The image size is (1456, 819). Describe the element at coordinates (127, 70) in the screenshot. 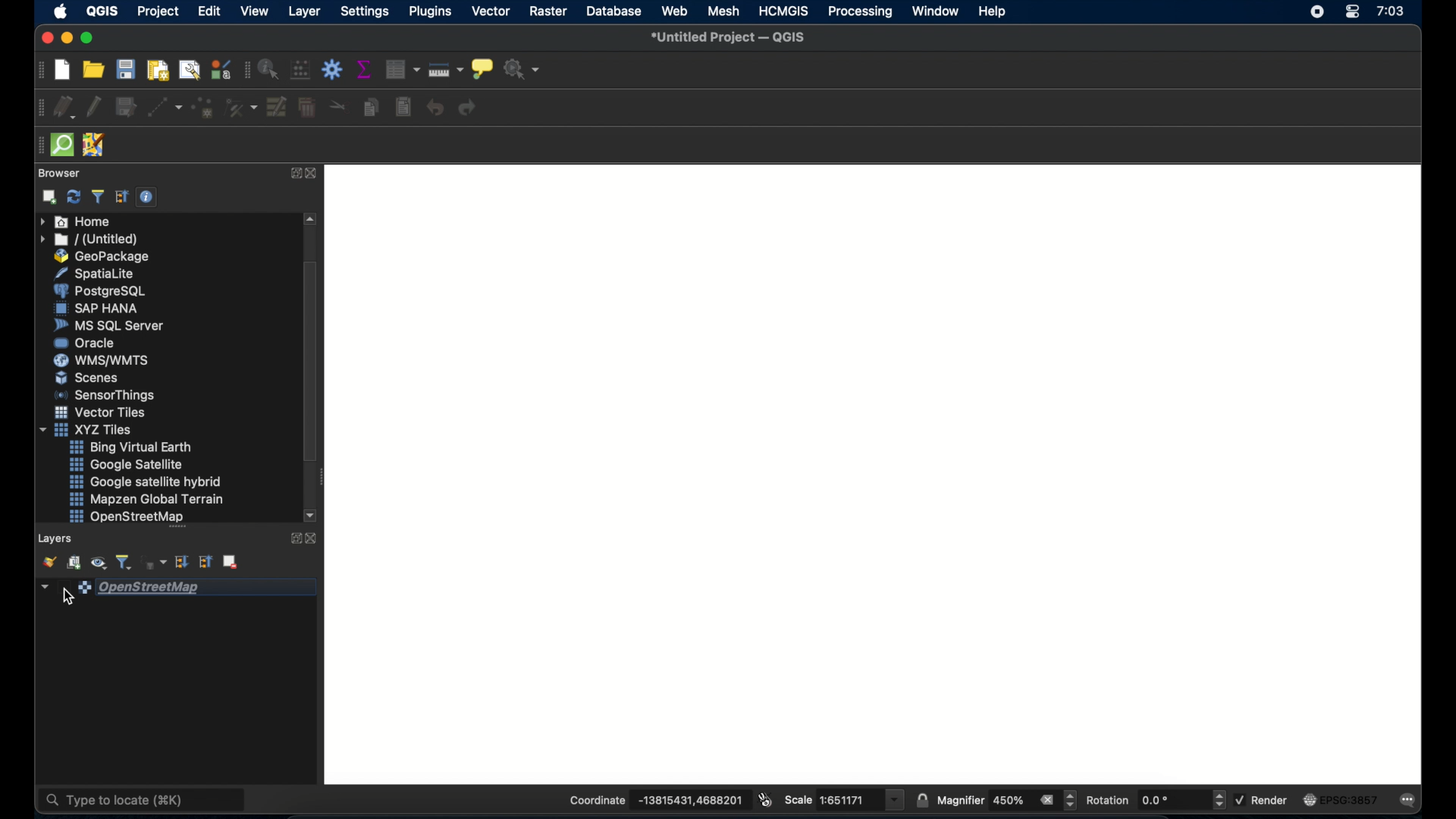

I see `save project` at that location.